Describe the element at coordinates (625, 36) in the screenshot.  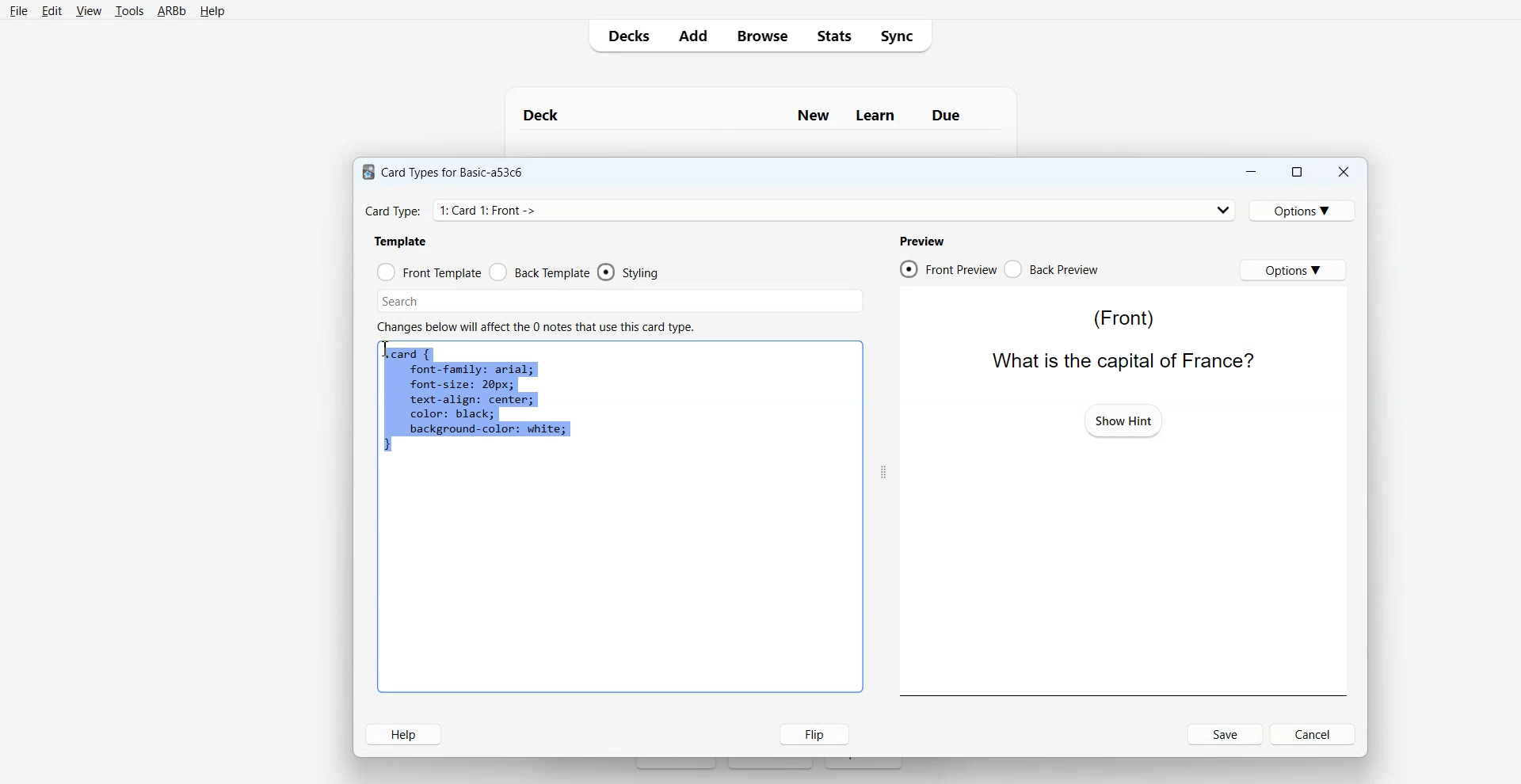
I see `Decks` at that location.